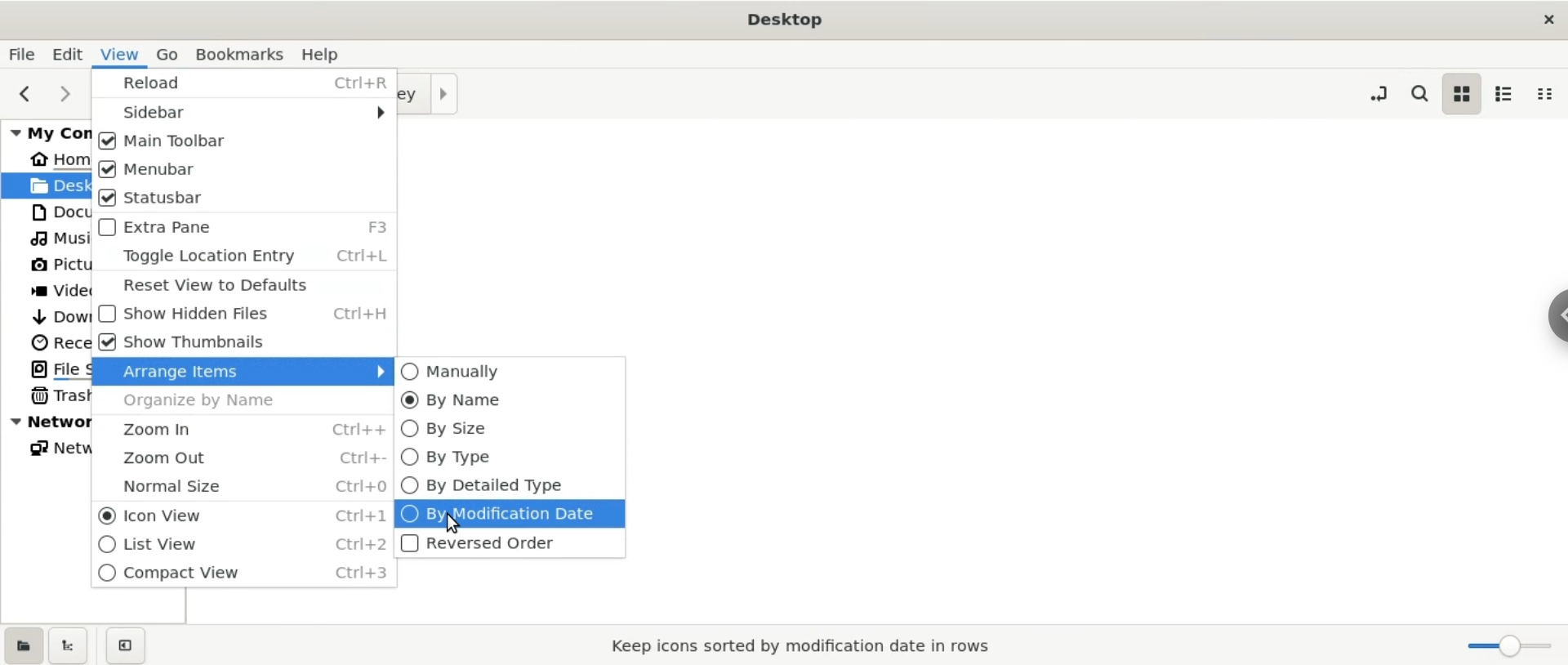 The image size is (1568, 665). Describe the element at coordinates (25, 55) in the screenshot. I see `file` at that location.